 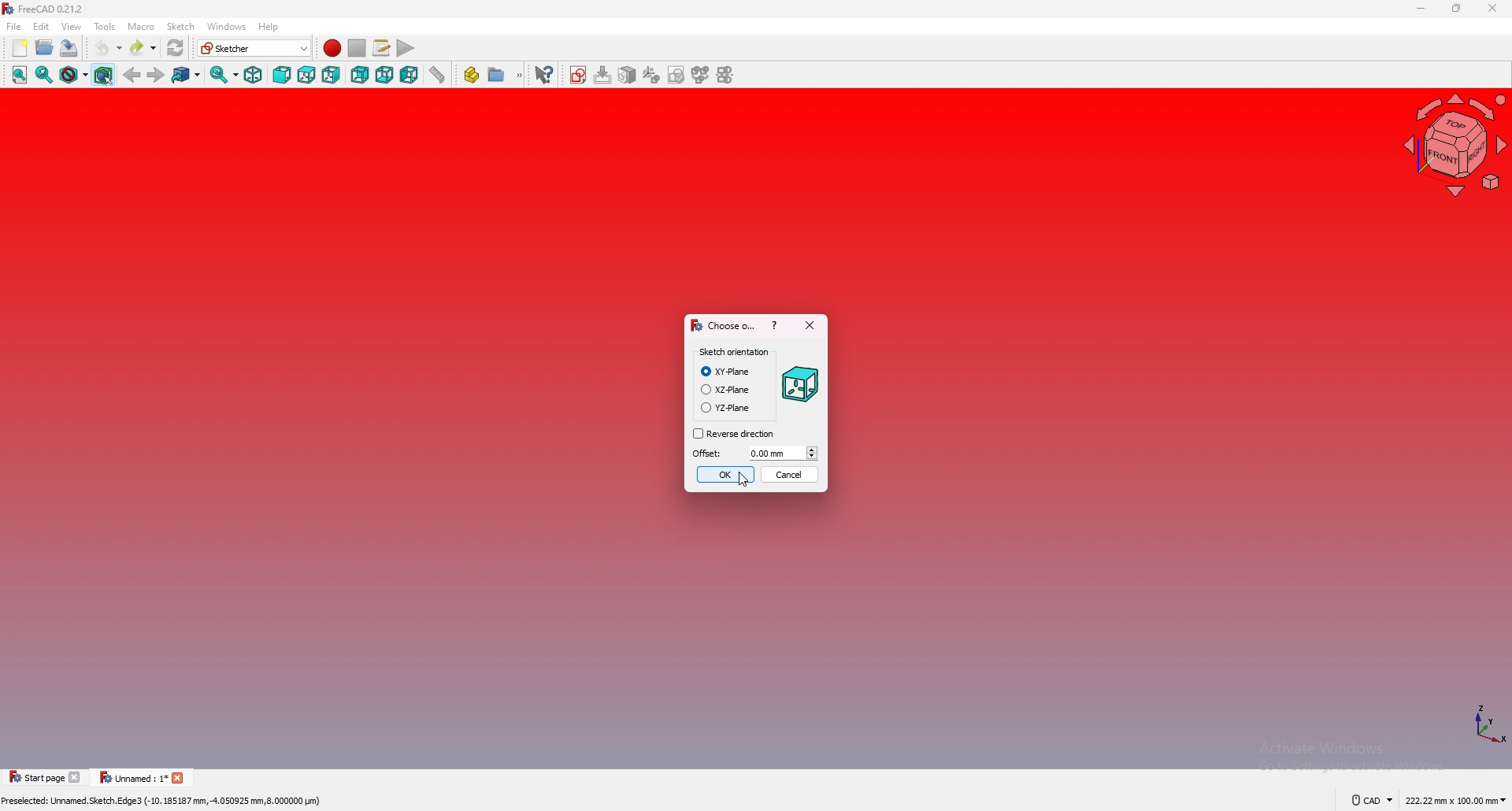 I want to click on macro, so click(x=140, y=25).